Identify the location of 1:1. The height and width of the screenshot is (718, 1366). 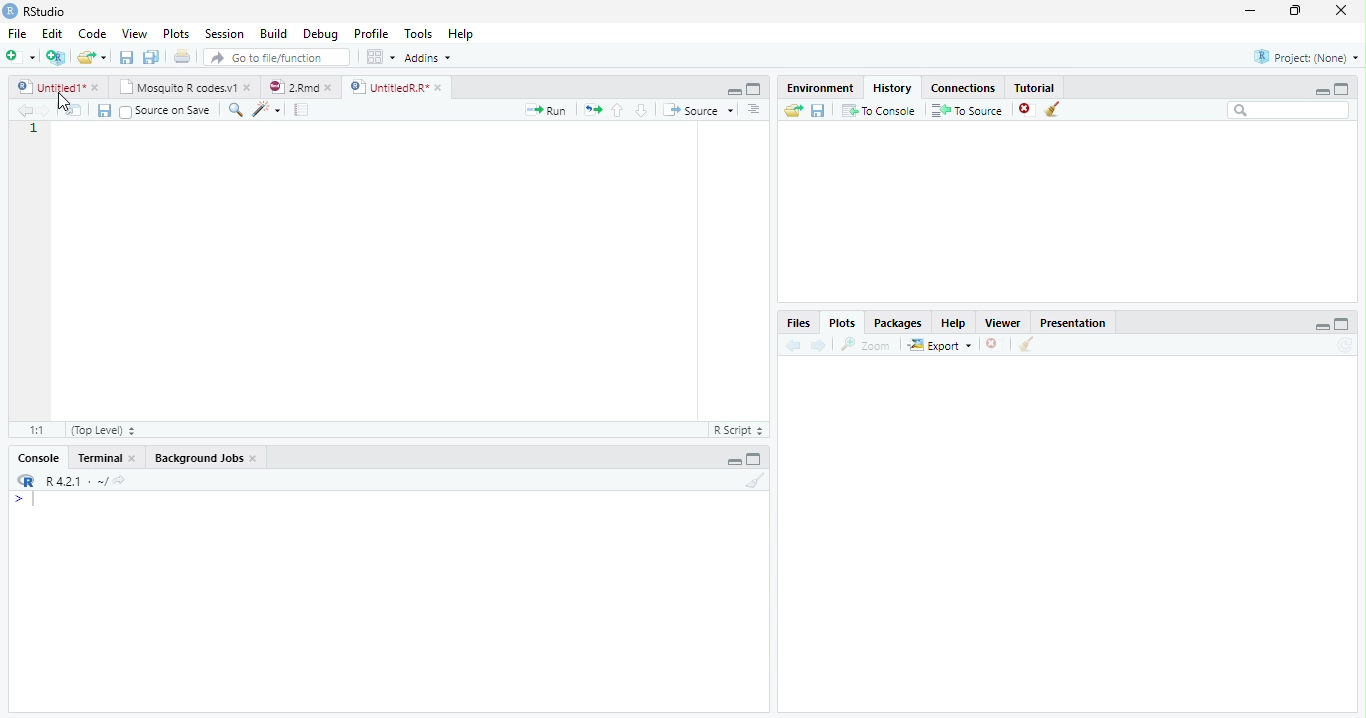
(36, 430).